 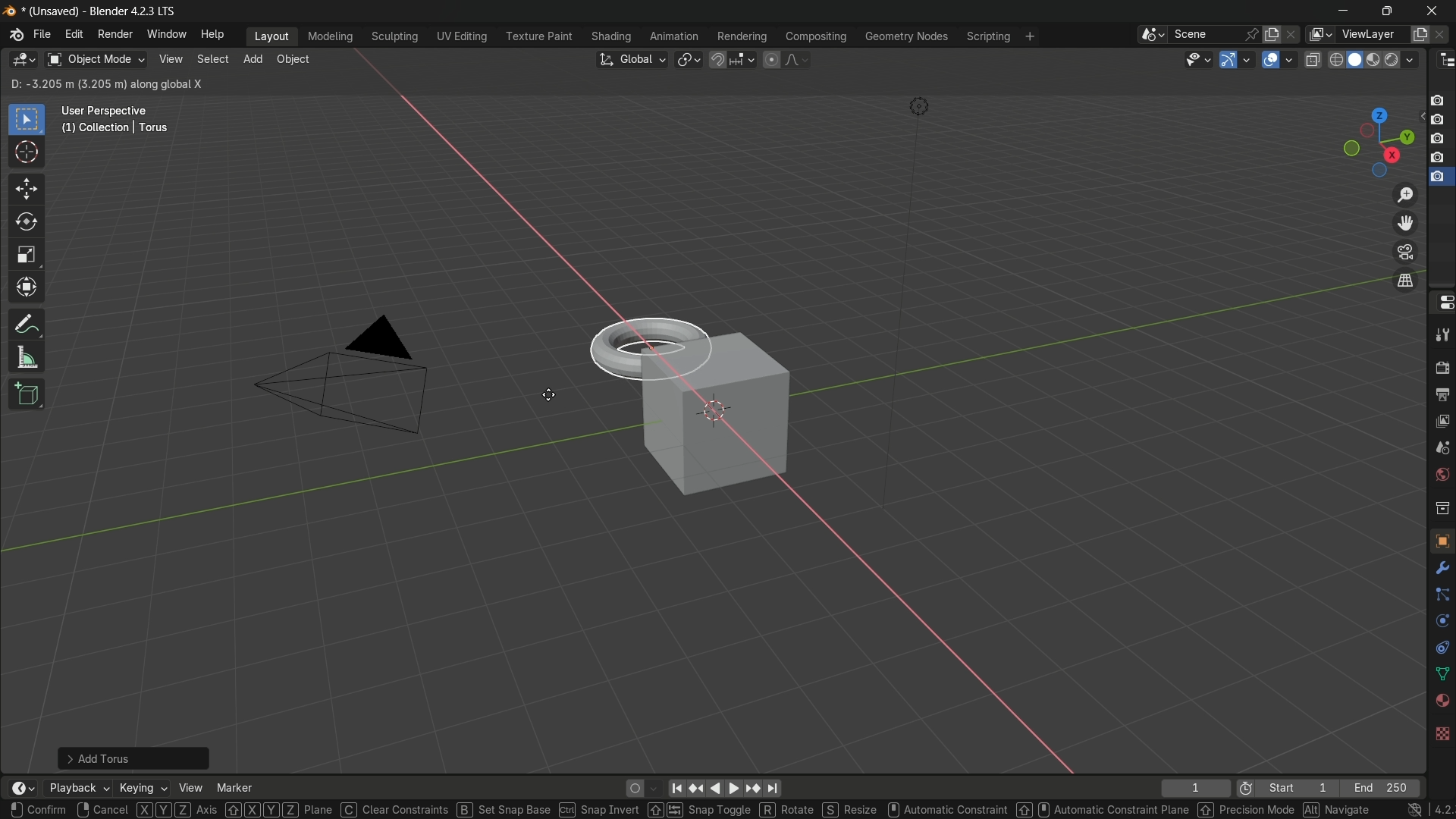 What do you see at coordinates (1293, 34) in the screenshot?
I see `delete scene` at bounding box center [1293, 34].